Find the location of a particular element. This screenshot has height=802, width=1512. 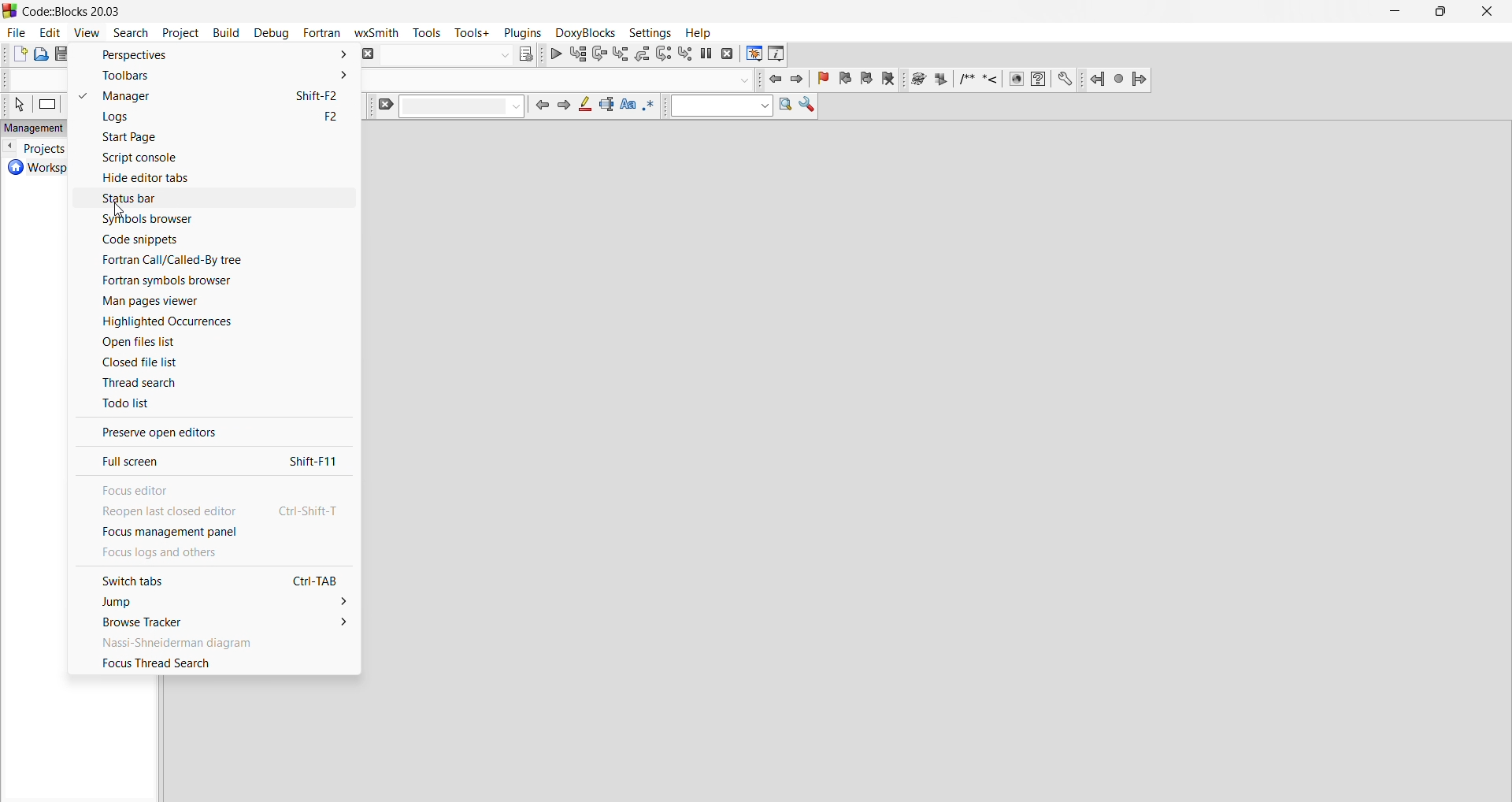

focus logs and others is located at coordinates (213, 556).